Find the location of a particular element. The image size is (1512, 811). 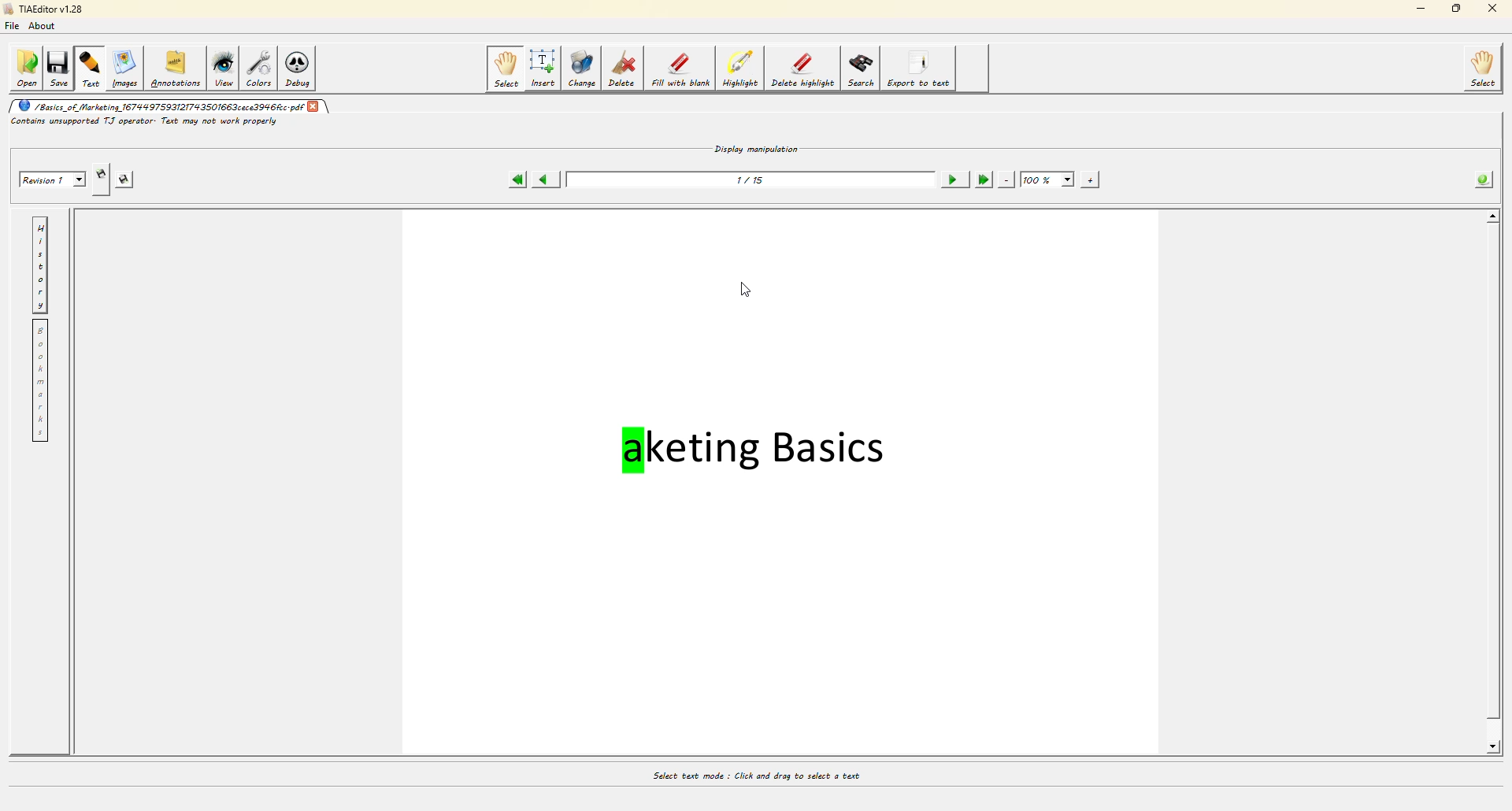

insert is located at coordinates (542, 69).